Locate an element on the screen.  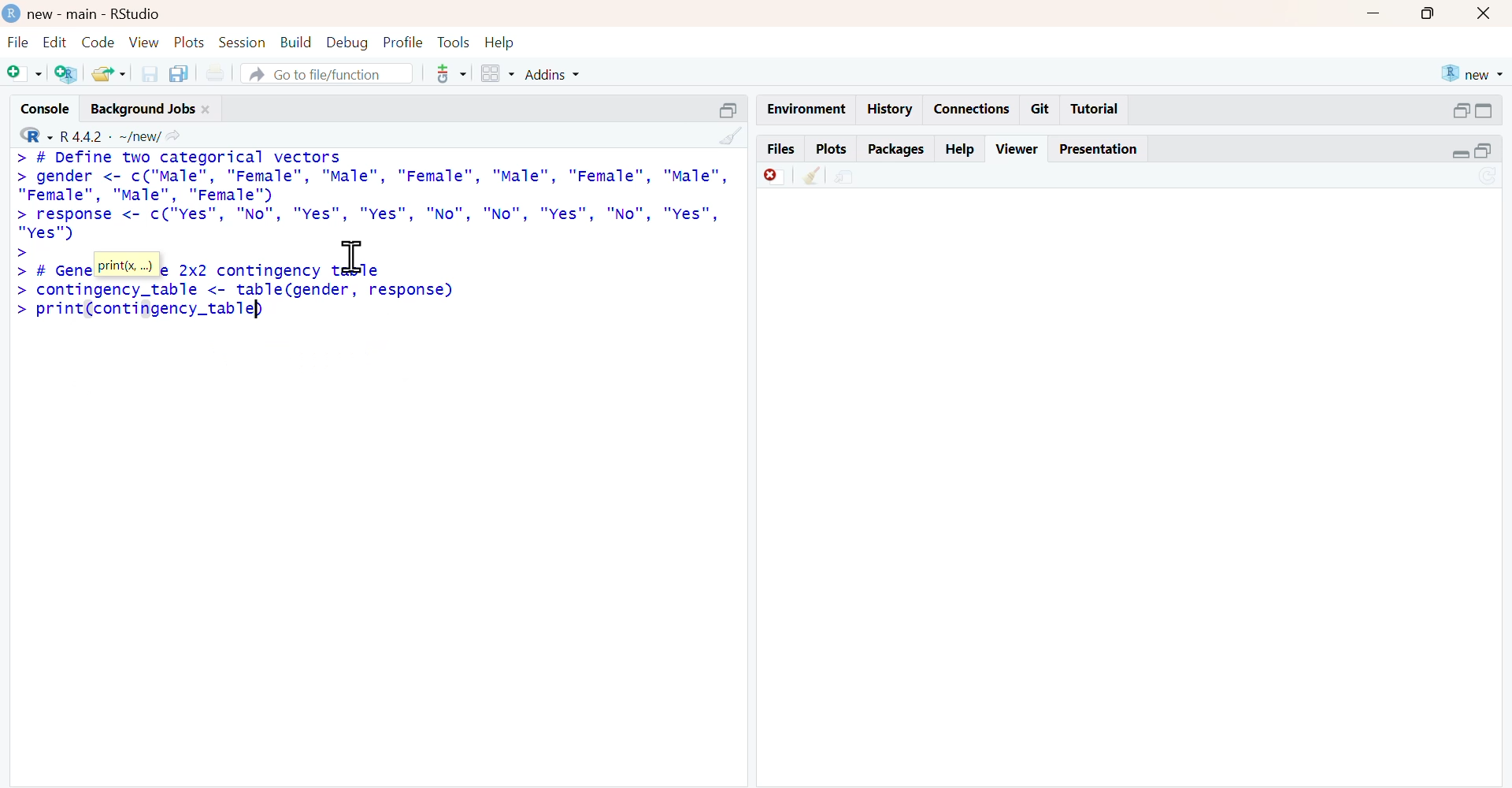
new is located at coordinates (1474, 74).